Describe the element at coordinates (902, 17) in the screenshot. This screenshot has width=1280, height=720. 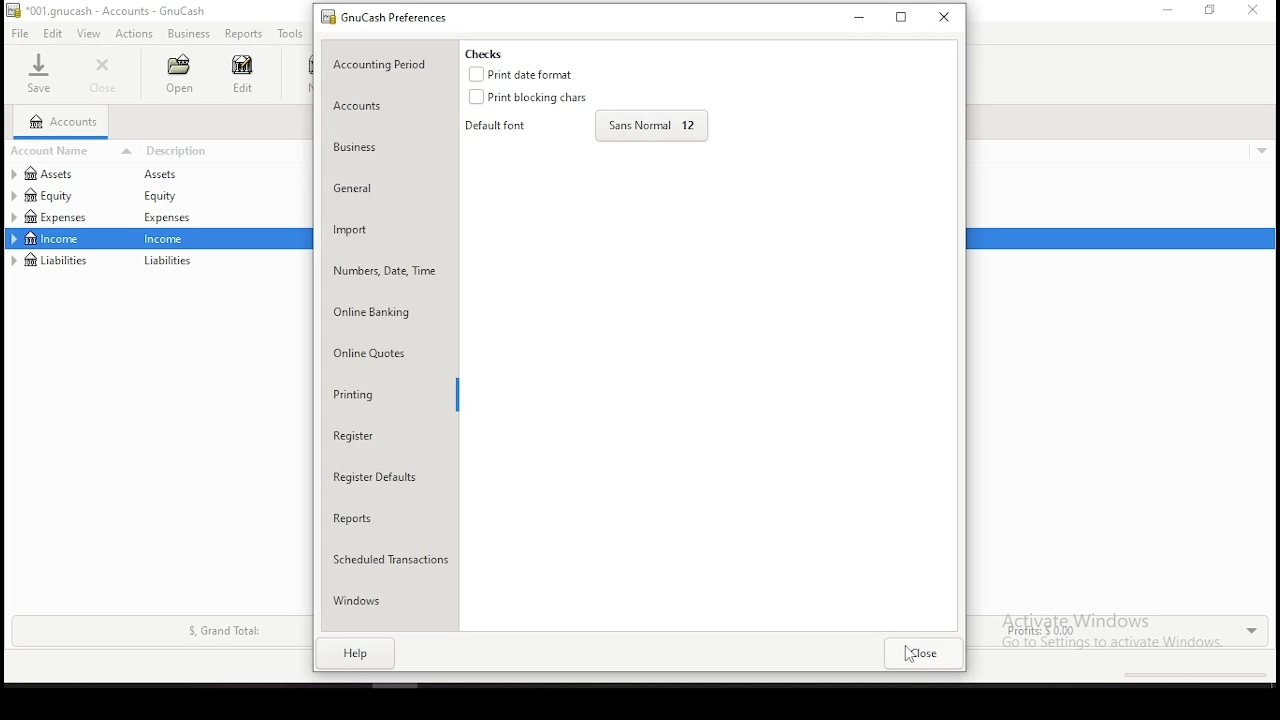
I see `restore` at that location.